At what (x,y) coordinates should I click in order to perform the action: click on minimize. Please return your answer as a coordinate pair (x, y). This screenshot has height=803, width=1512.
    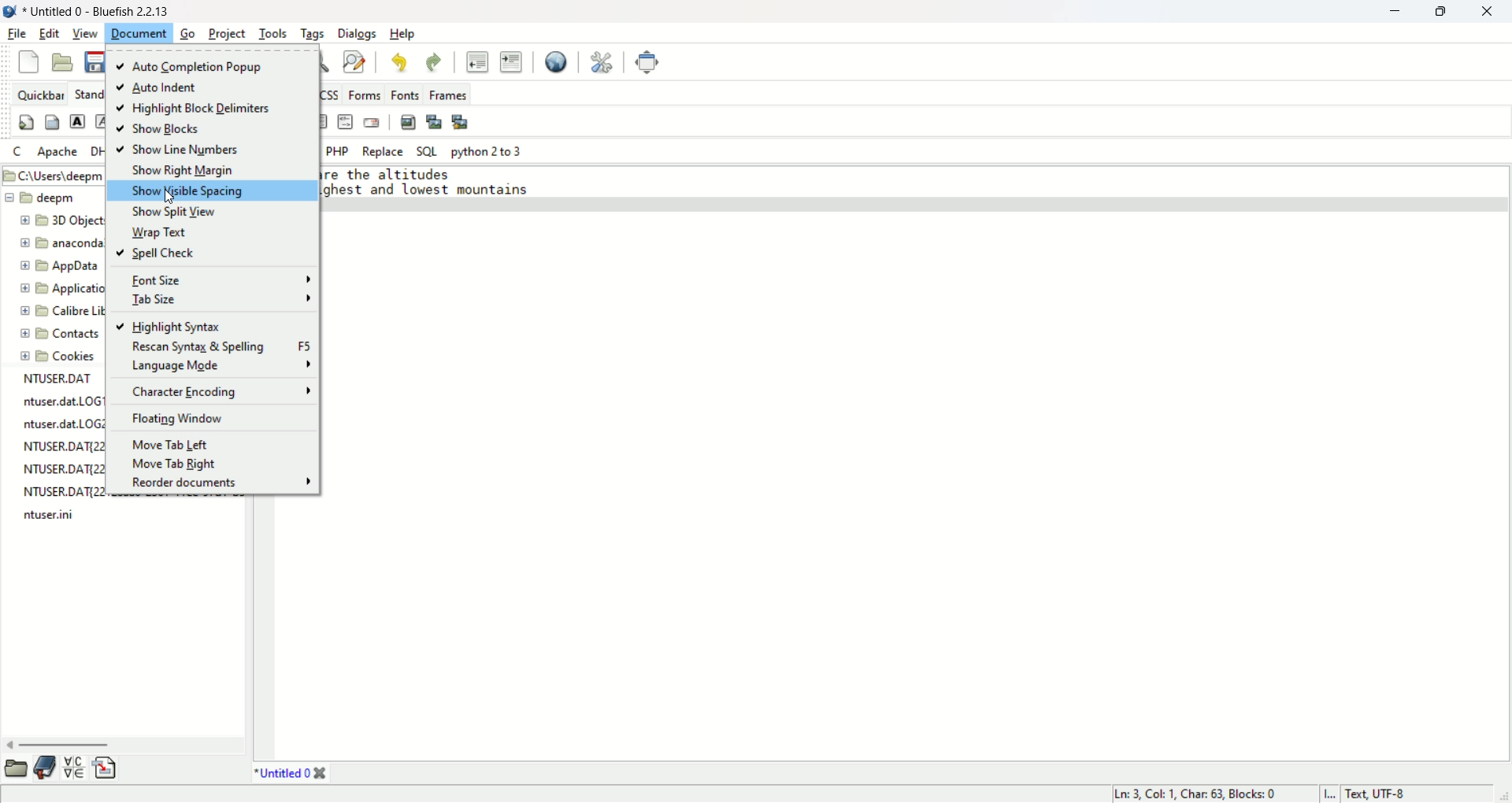
    Looking at the image, I should click on (1393, 12).